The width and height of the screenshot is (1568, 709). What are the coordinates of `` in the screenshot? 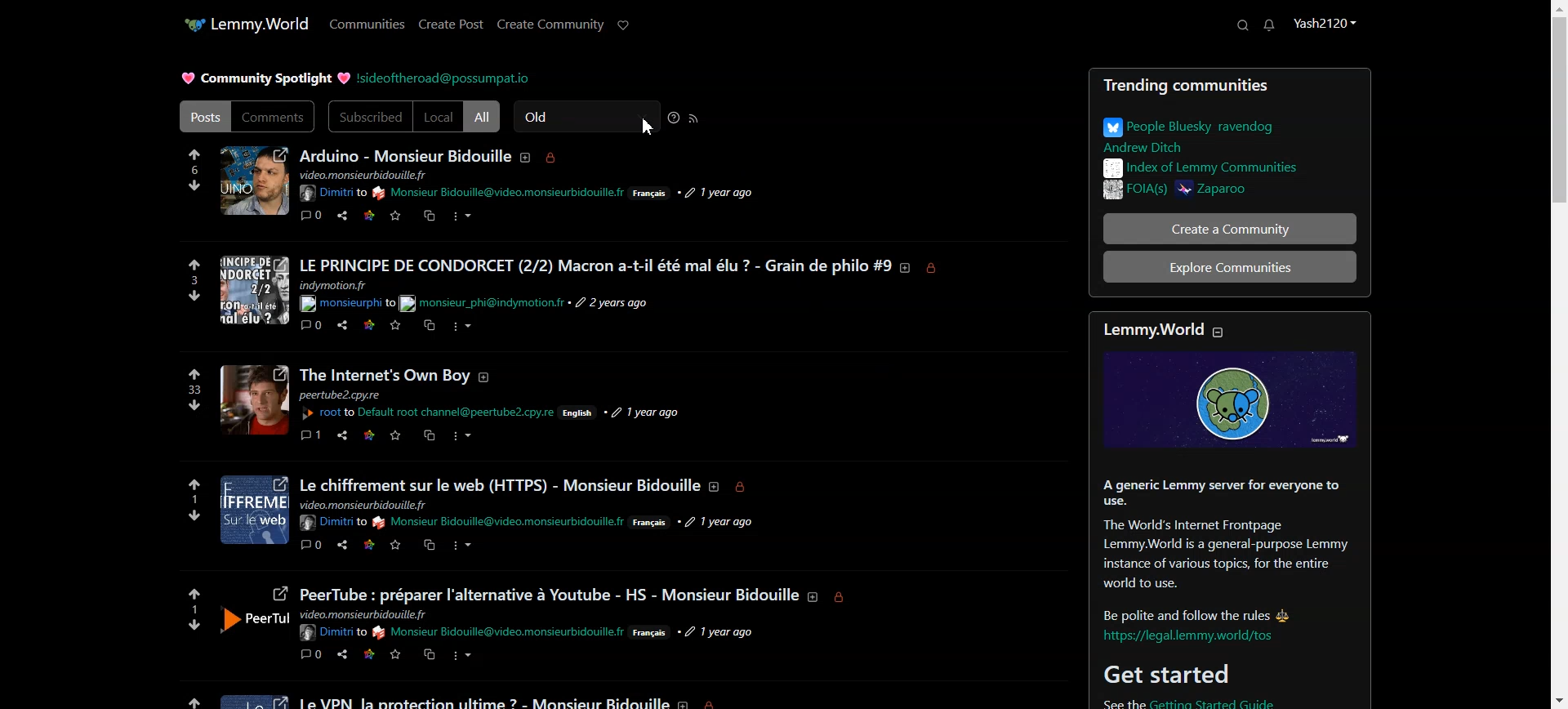 It's located at (342, 395).